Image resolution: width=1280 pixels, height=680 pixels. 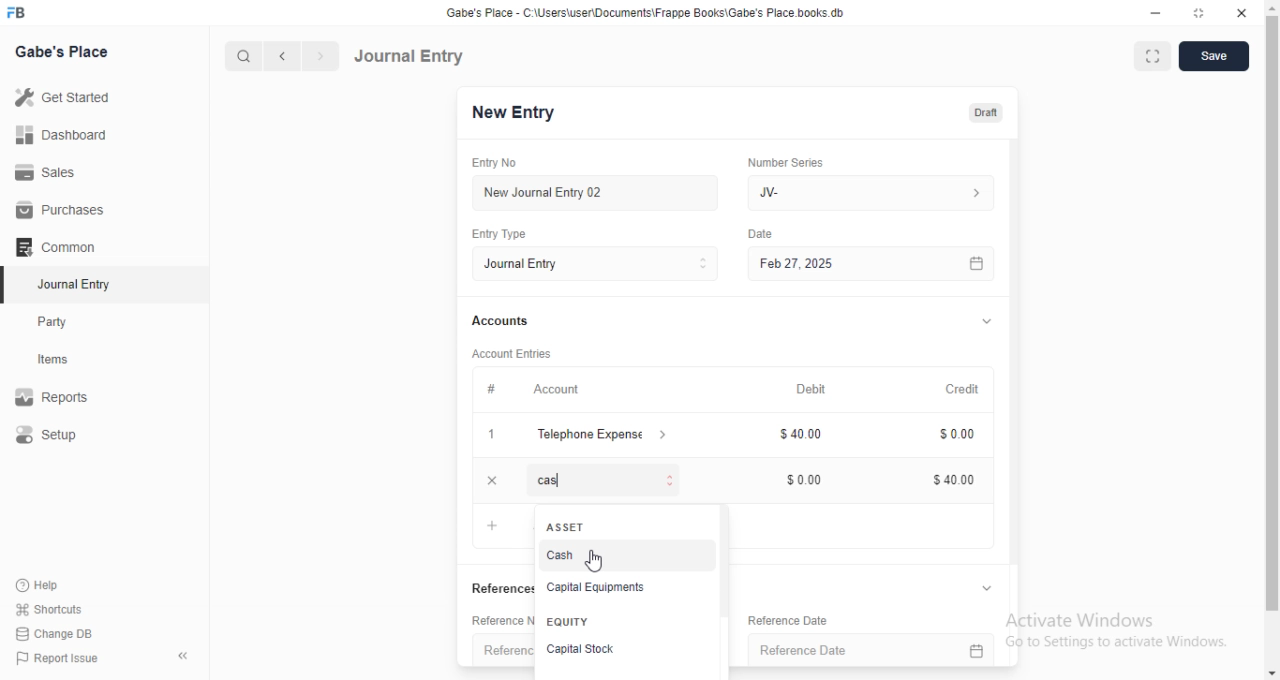 I want to click on Debit, so click(x=819, y=390).